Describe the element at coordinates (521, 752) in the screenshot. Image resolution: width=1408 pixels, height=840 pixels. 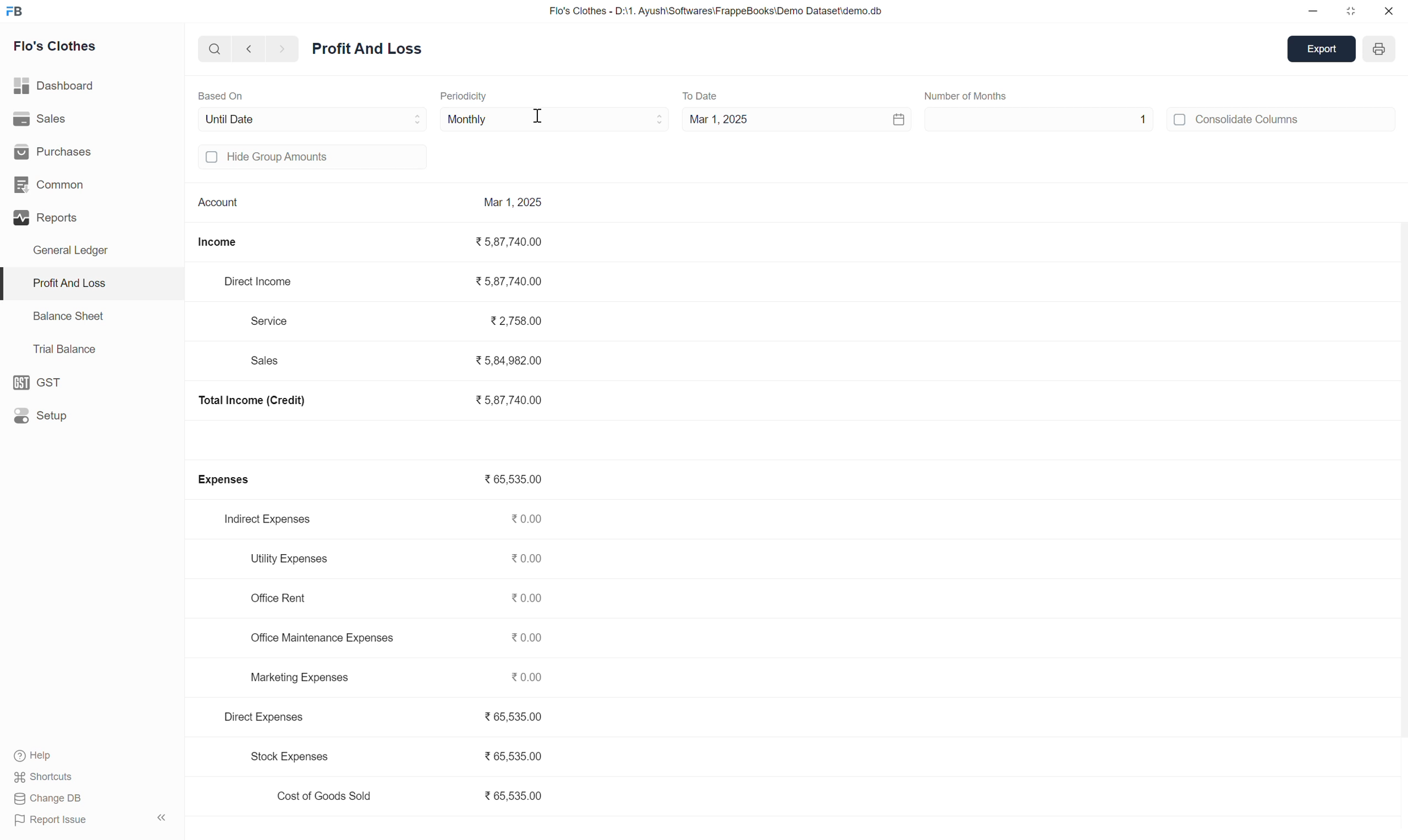
I see `₹65,535.00` at that location.